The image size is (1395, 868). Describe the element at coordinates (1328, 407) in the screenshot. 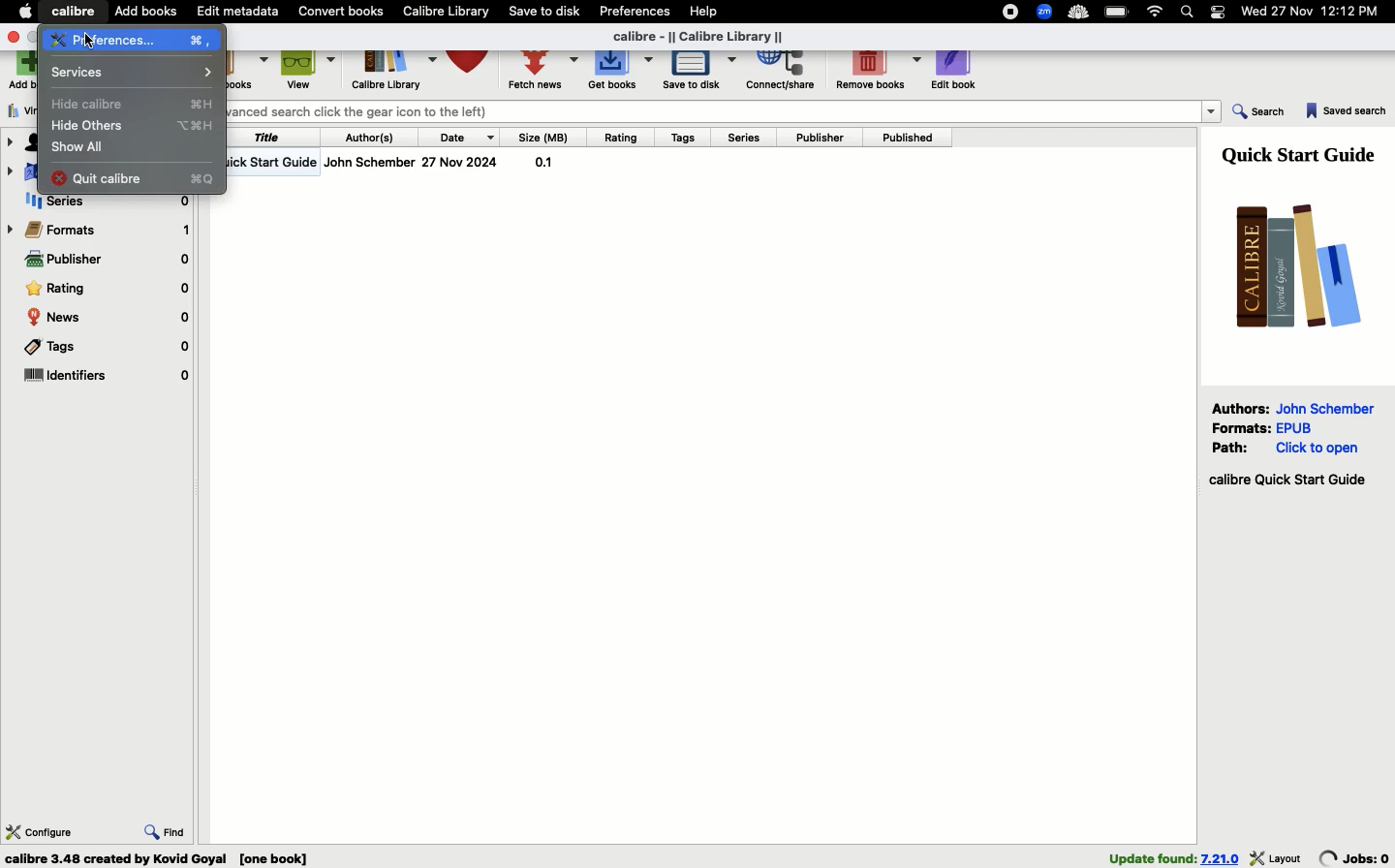

I see `John Schember` at that location.